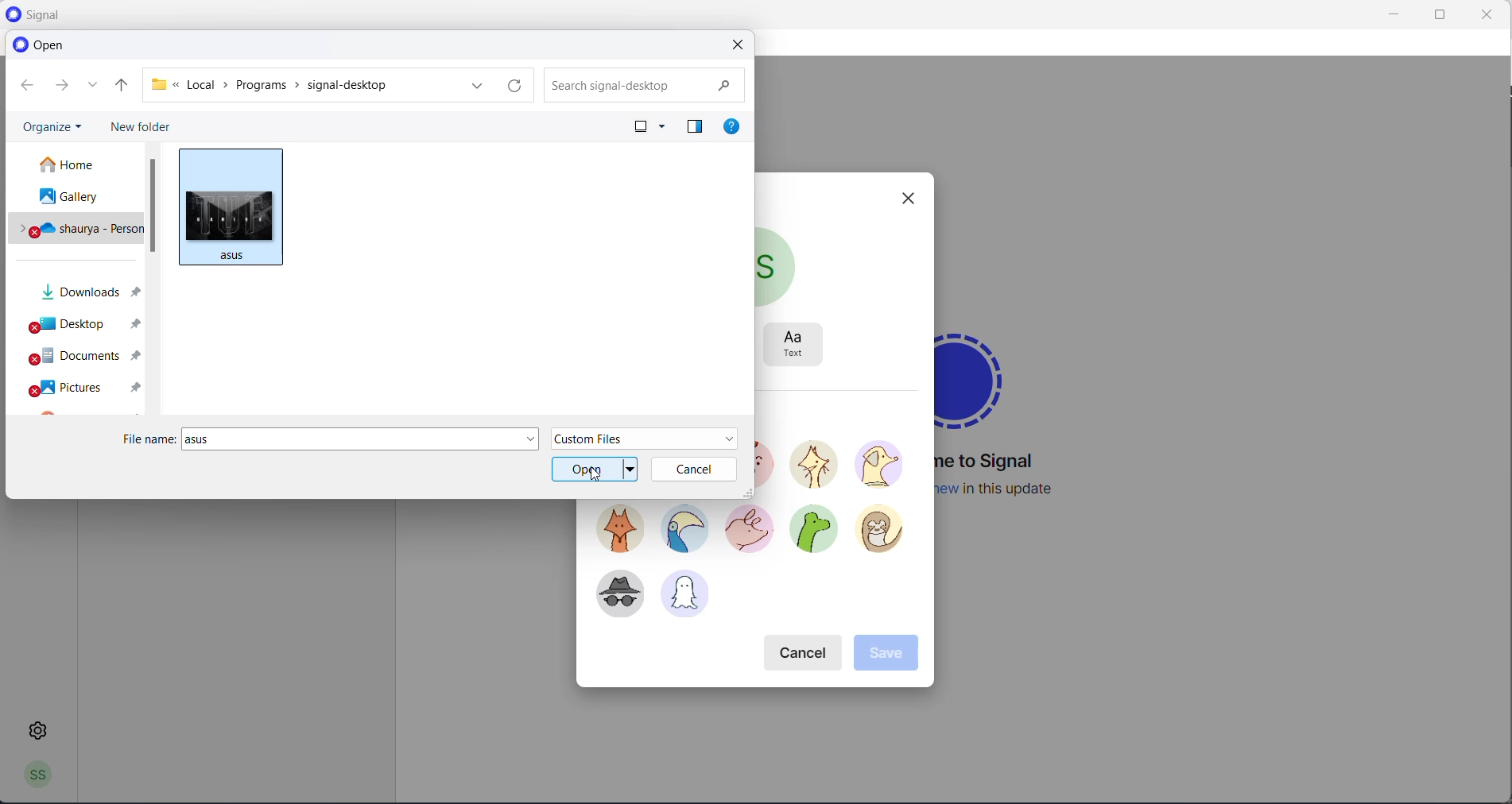  What do you see at coordinates (612, 528) in the screenshot?
I see `avatar` at bounding box center [612, 528].